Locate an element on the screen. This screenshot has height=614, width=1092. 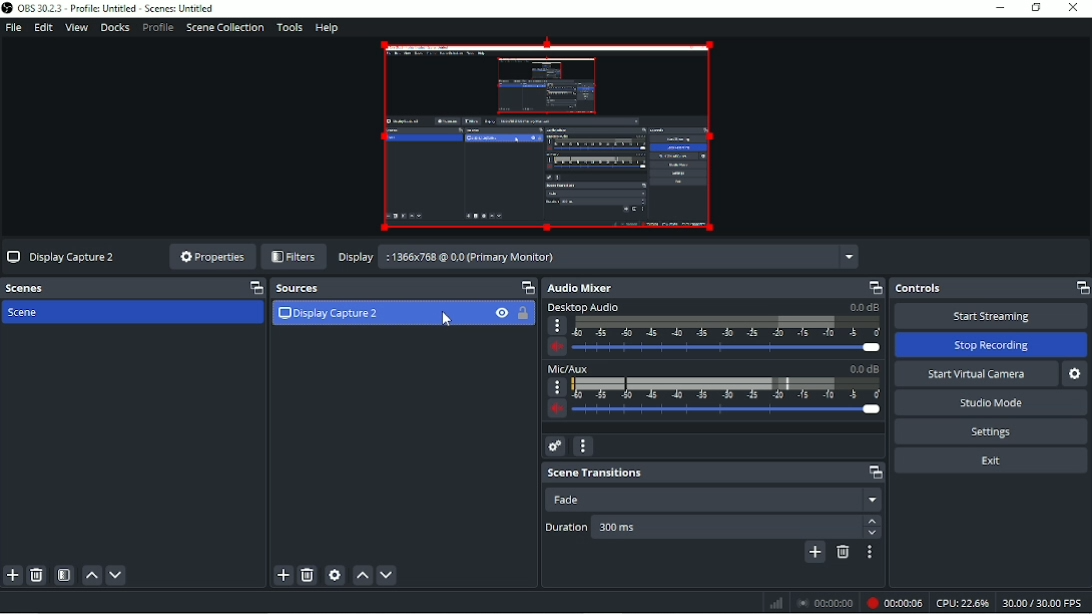
Remove selected scene is located at coordinates (37, 575).